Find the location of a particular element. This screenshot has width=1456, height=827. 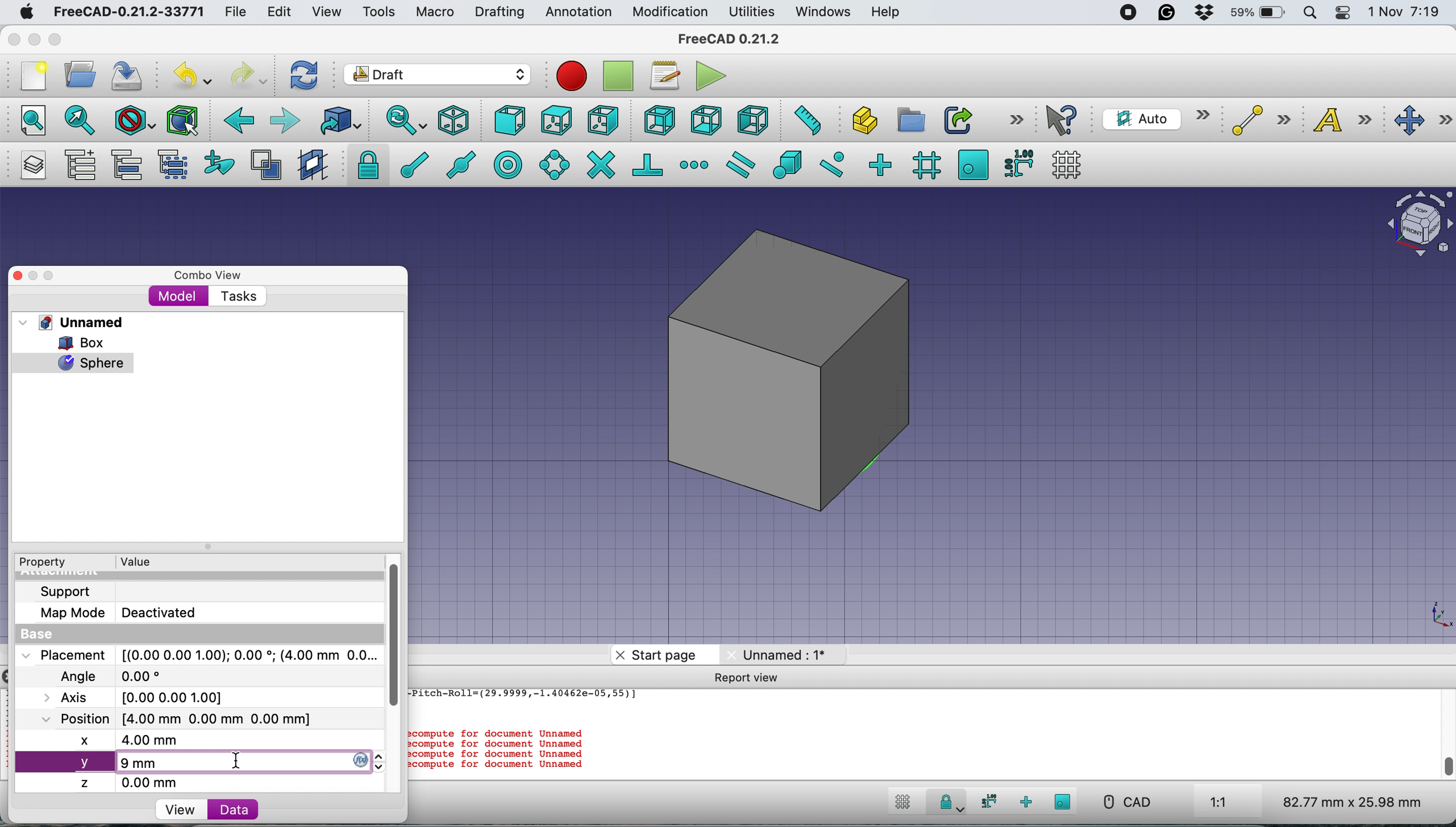

fit selections is located at coordinates (83, 119).